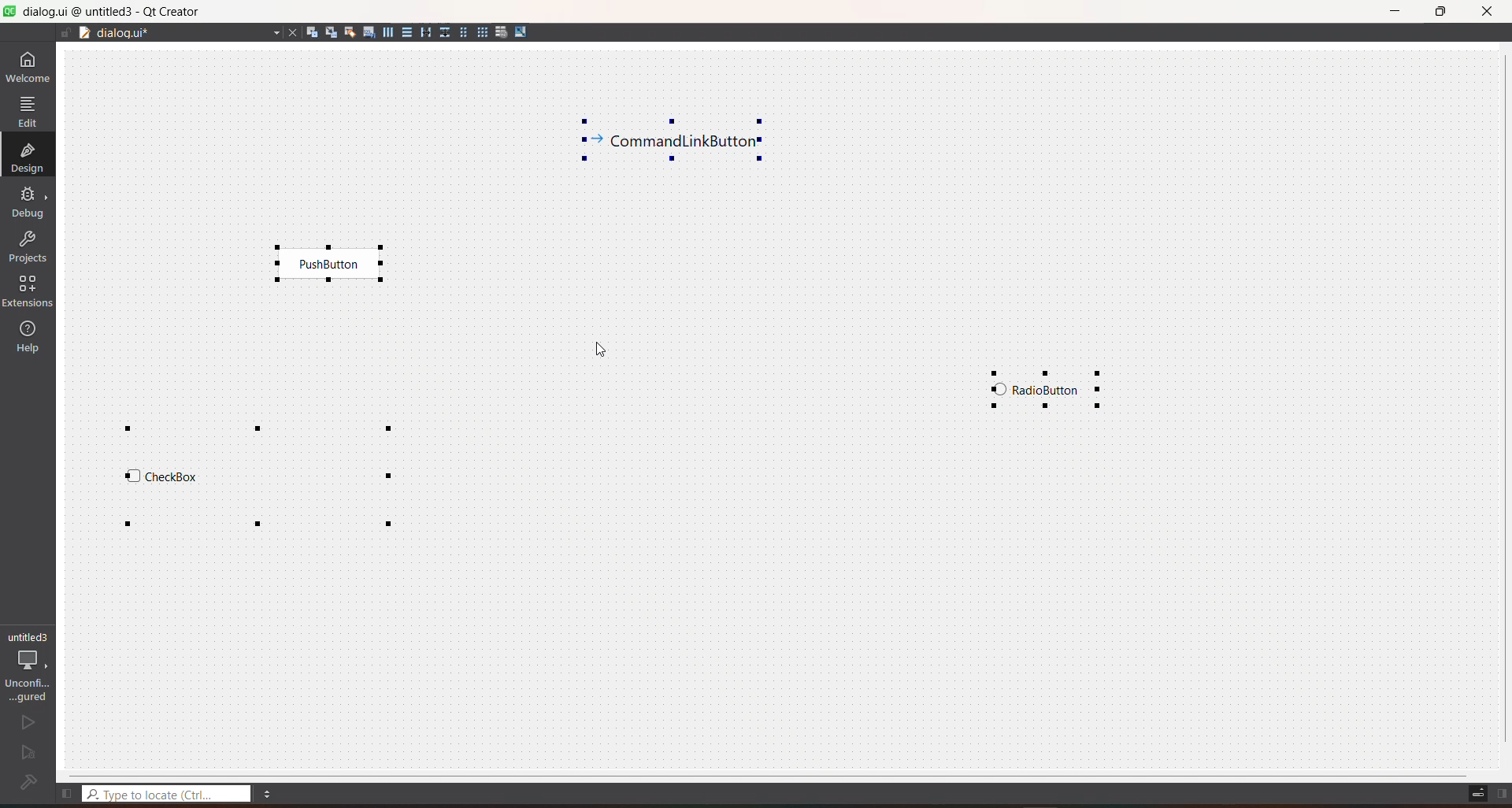  I want to click on cursor, so click(597, 354).